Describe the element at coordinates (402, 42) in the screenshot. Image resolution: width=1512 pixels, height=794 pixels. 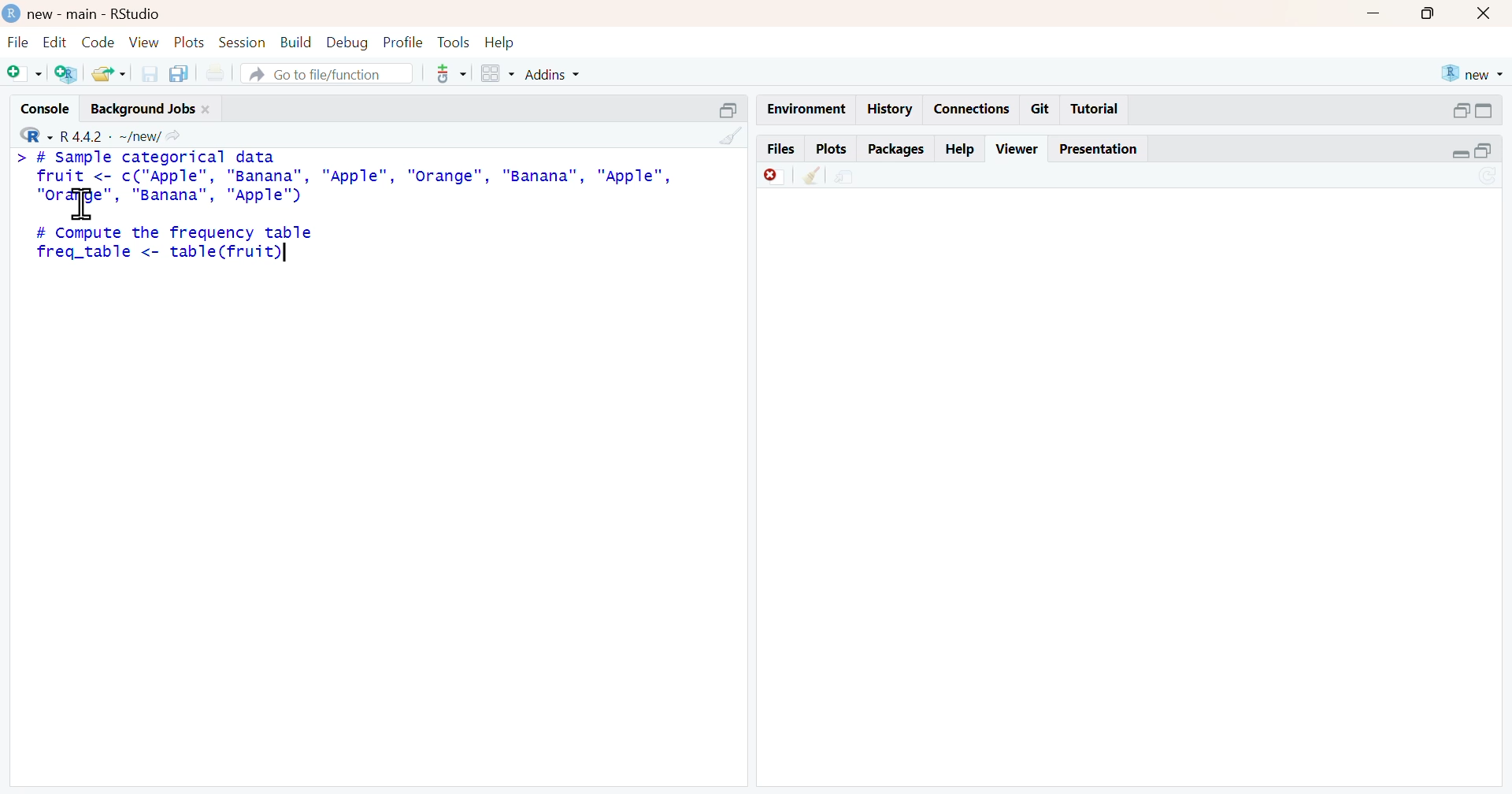
I see `profile` at that location.